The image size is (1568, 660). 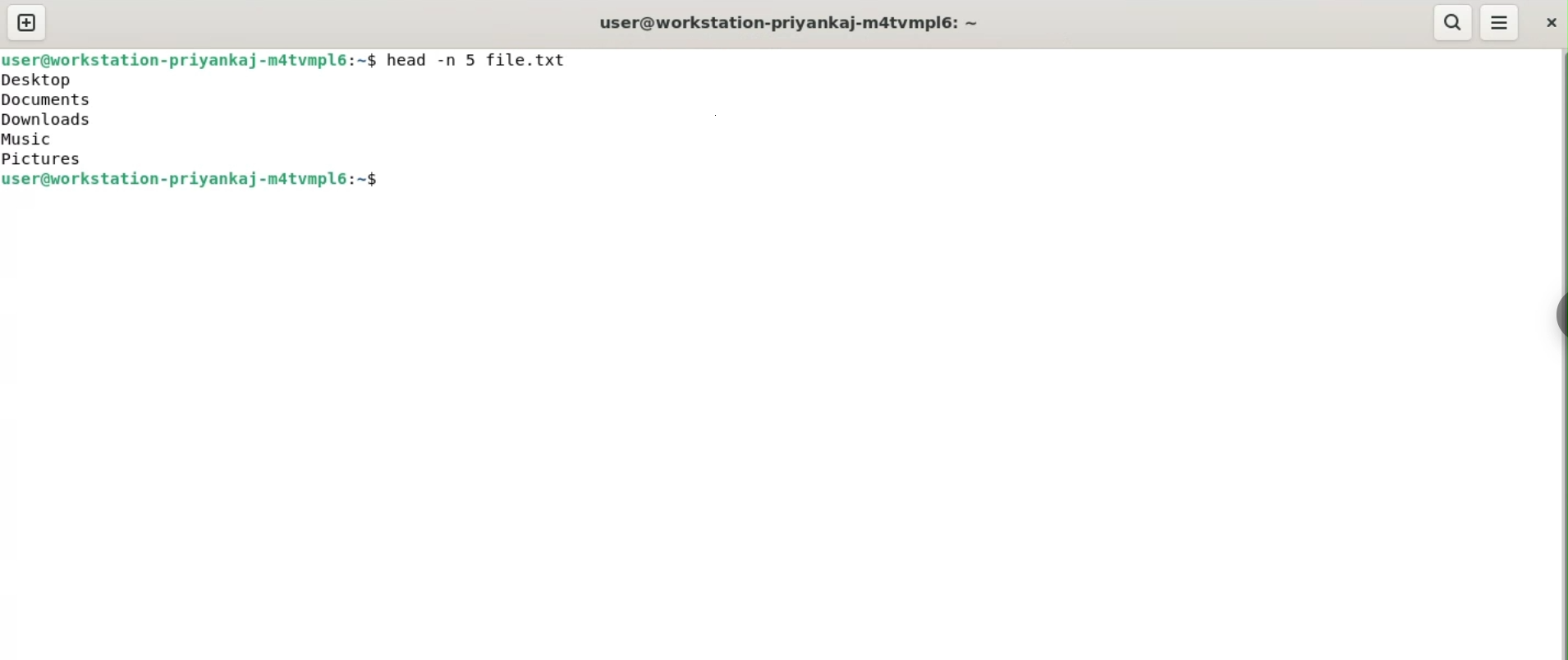 I want to click on new tab, so click(x=27, y=21).